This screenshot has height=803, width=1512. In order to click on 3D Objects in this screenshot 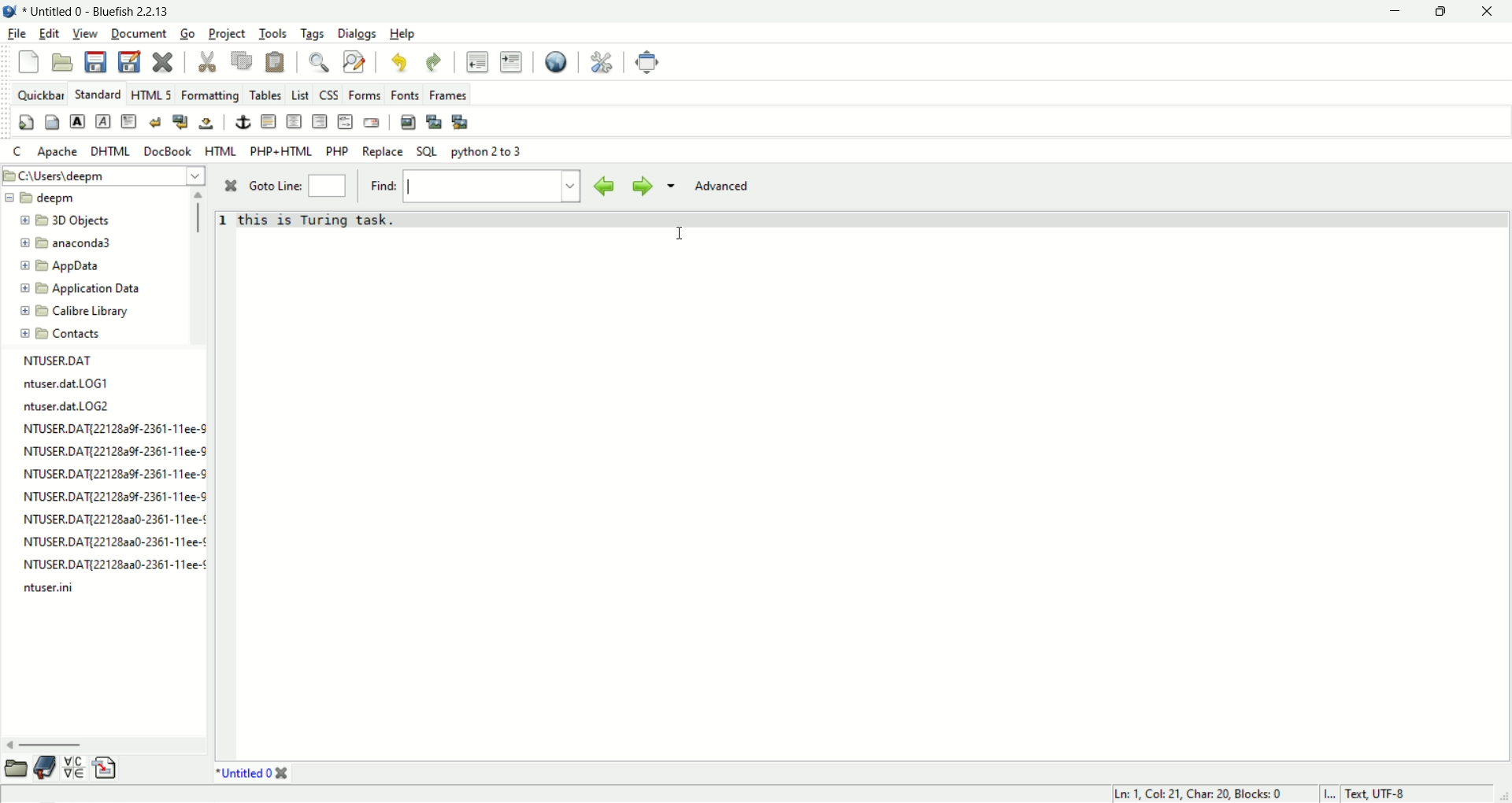, I will do `click(72, 222)`.